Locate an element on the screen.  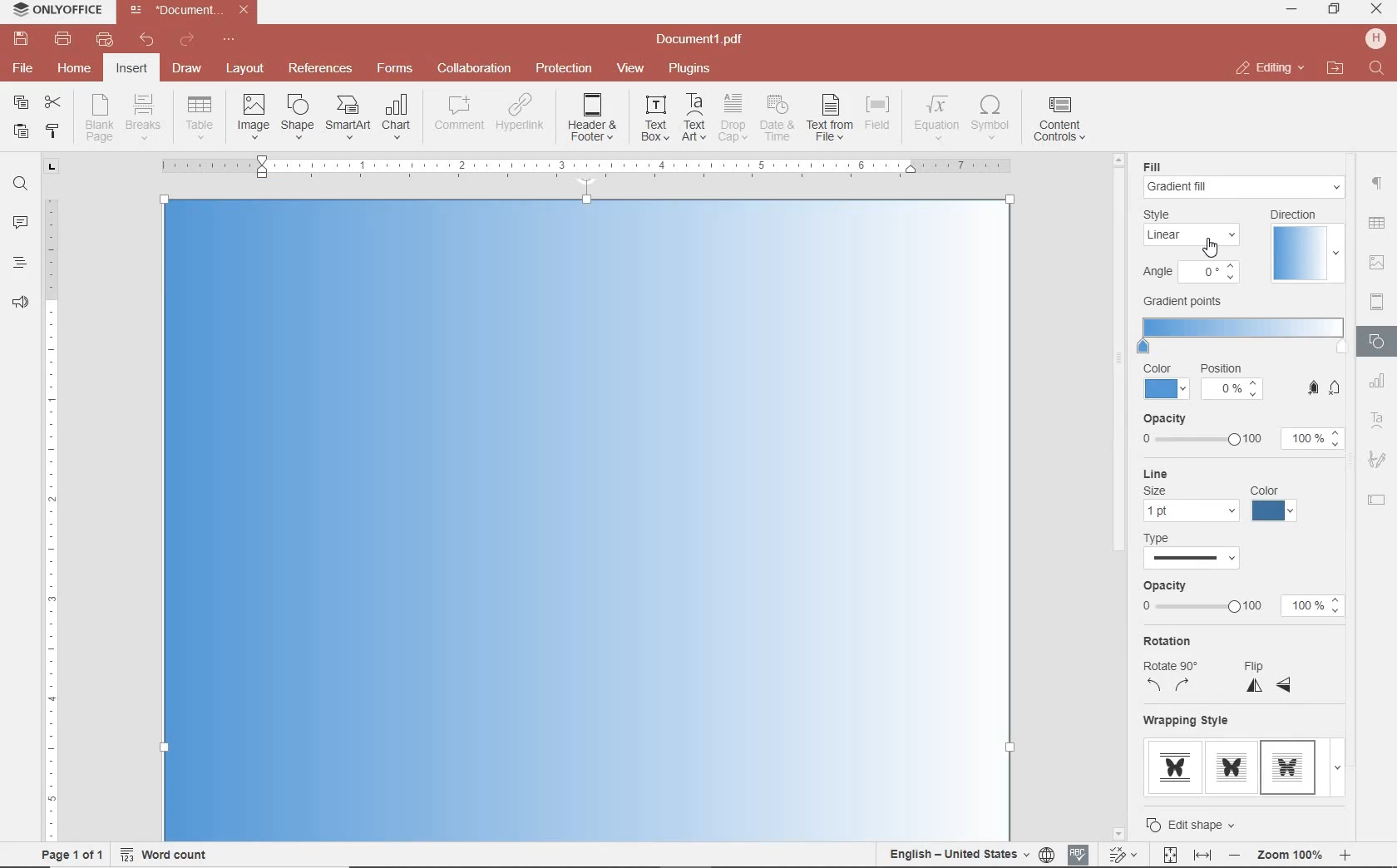
 is located at coordinates (1238, 601).